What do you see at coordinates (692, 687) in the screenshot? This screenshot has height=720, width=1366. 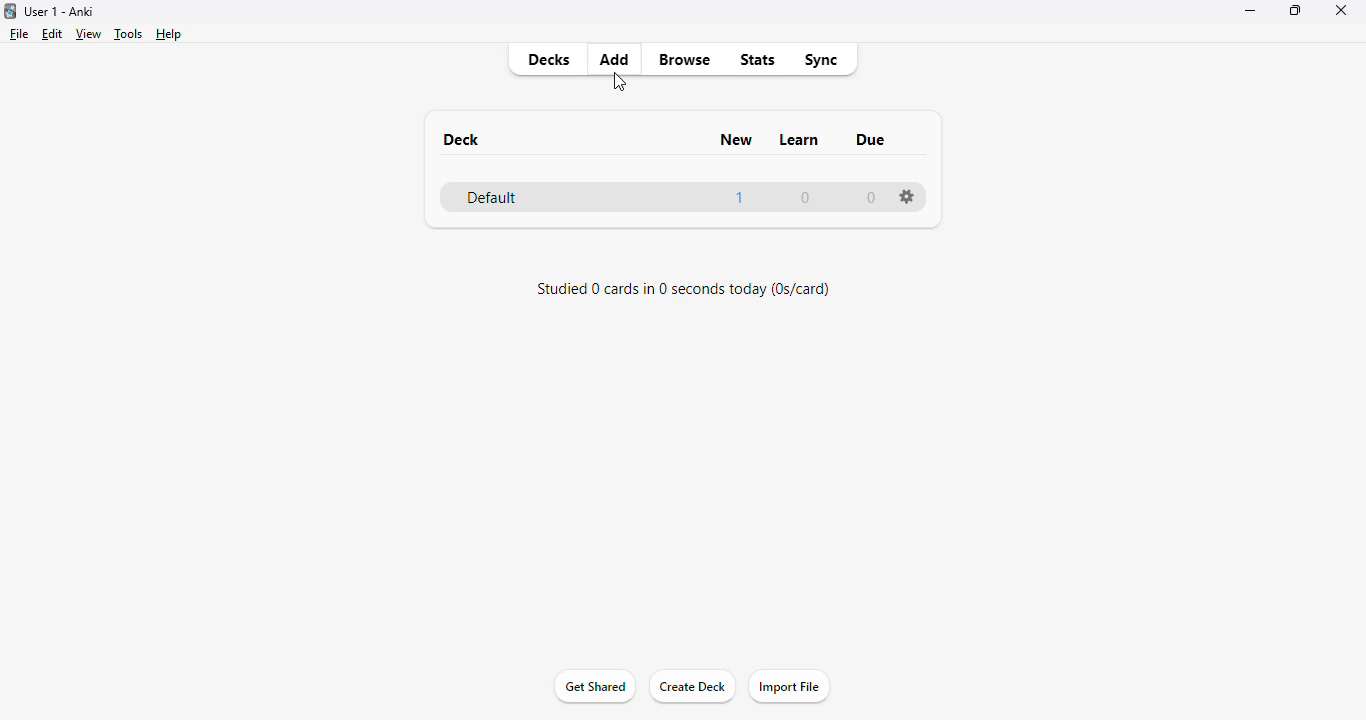 I see `create deck` at bounding box center [692, 687].